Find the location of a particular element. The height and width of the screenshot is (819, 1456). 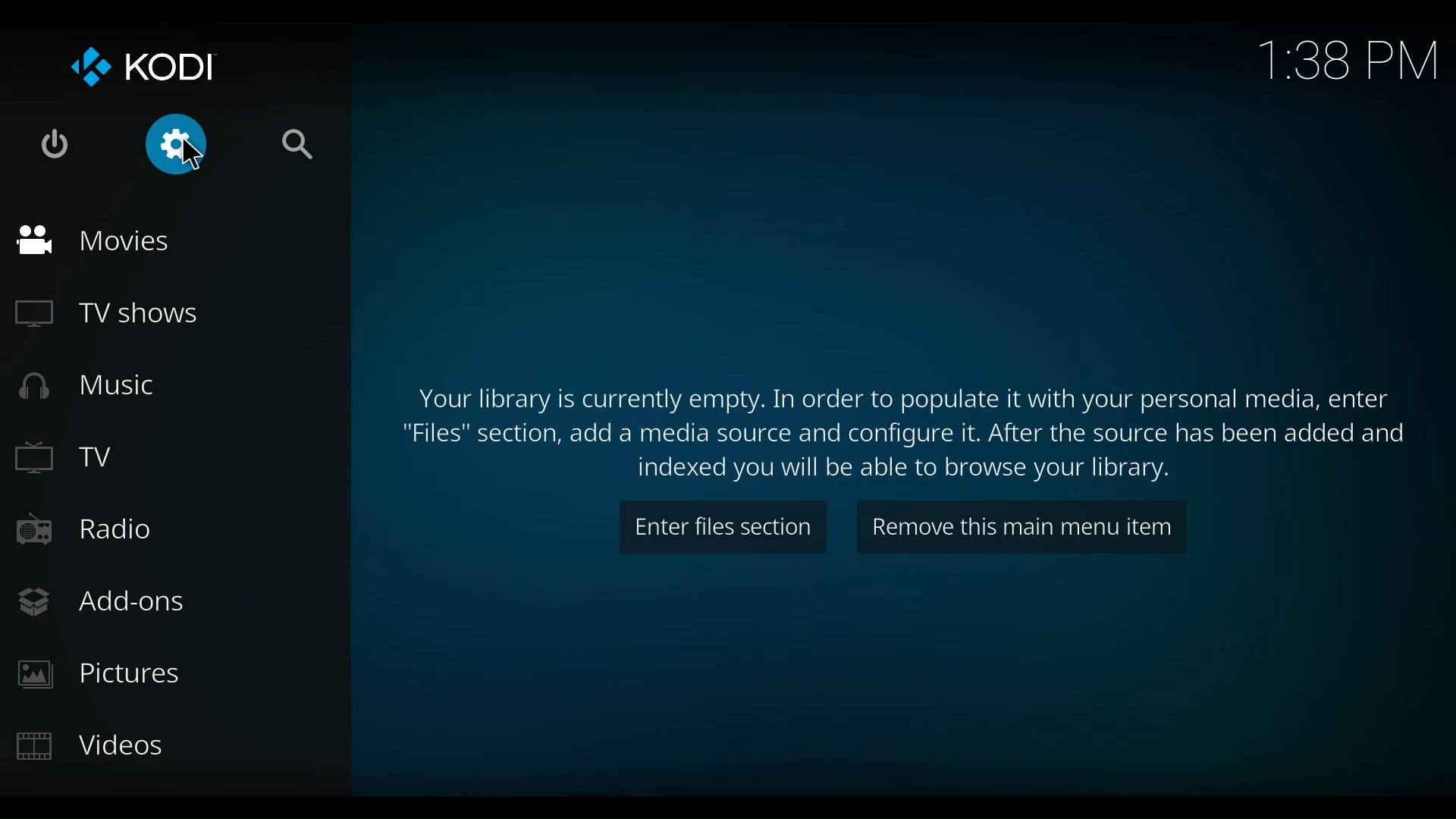

Search is located at coordinates (300, 143).